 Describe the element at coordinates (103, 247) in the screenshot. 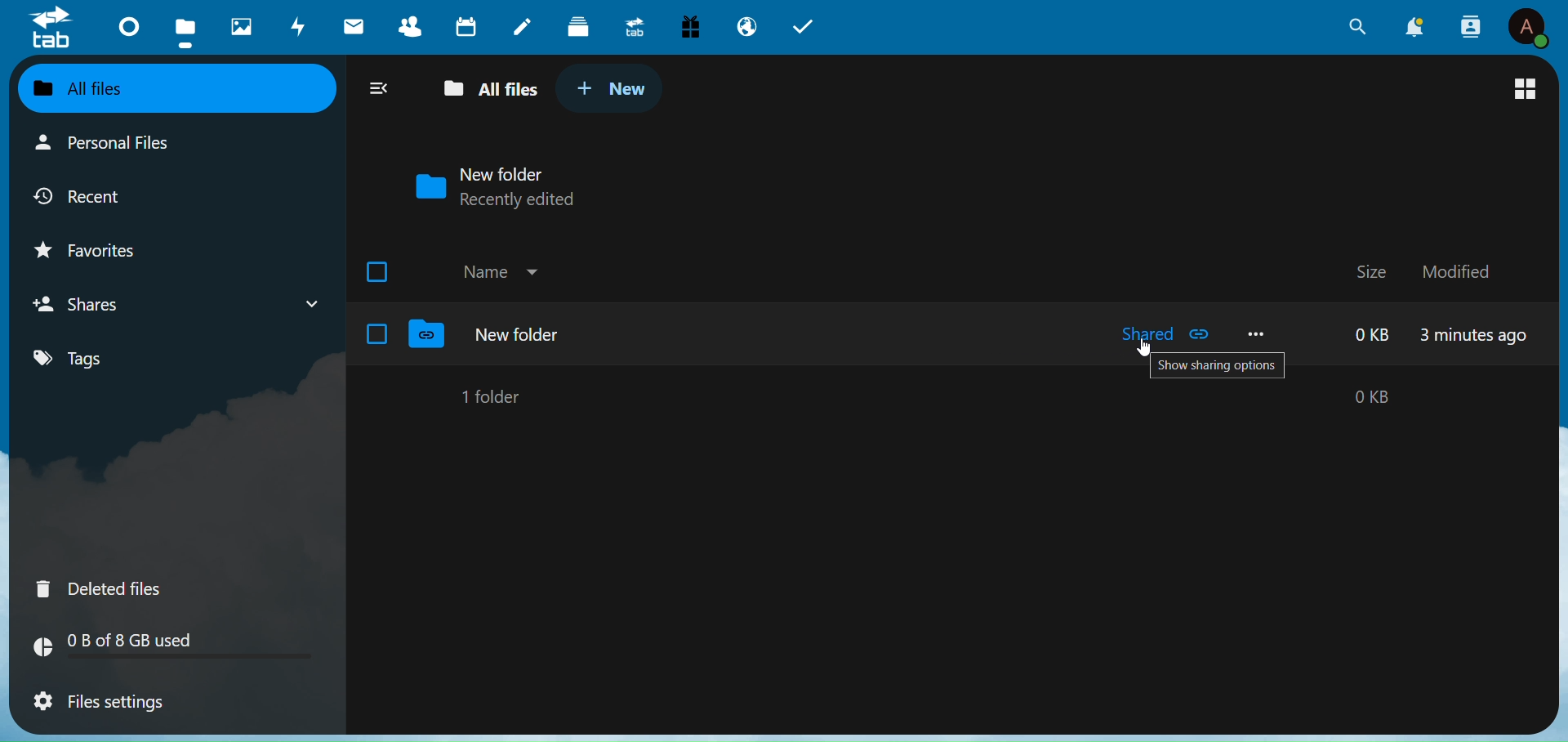

I see `Favorites` at that location.